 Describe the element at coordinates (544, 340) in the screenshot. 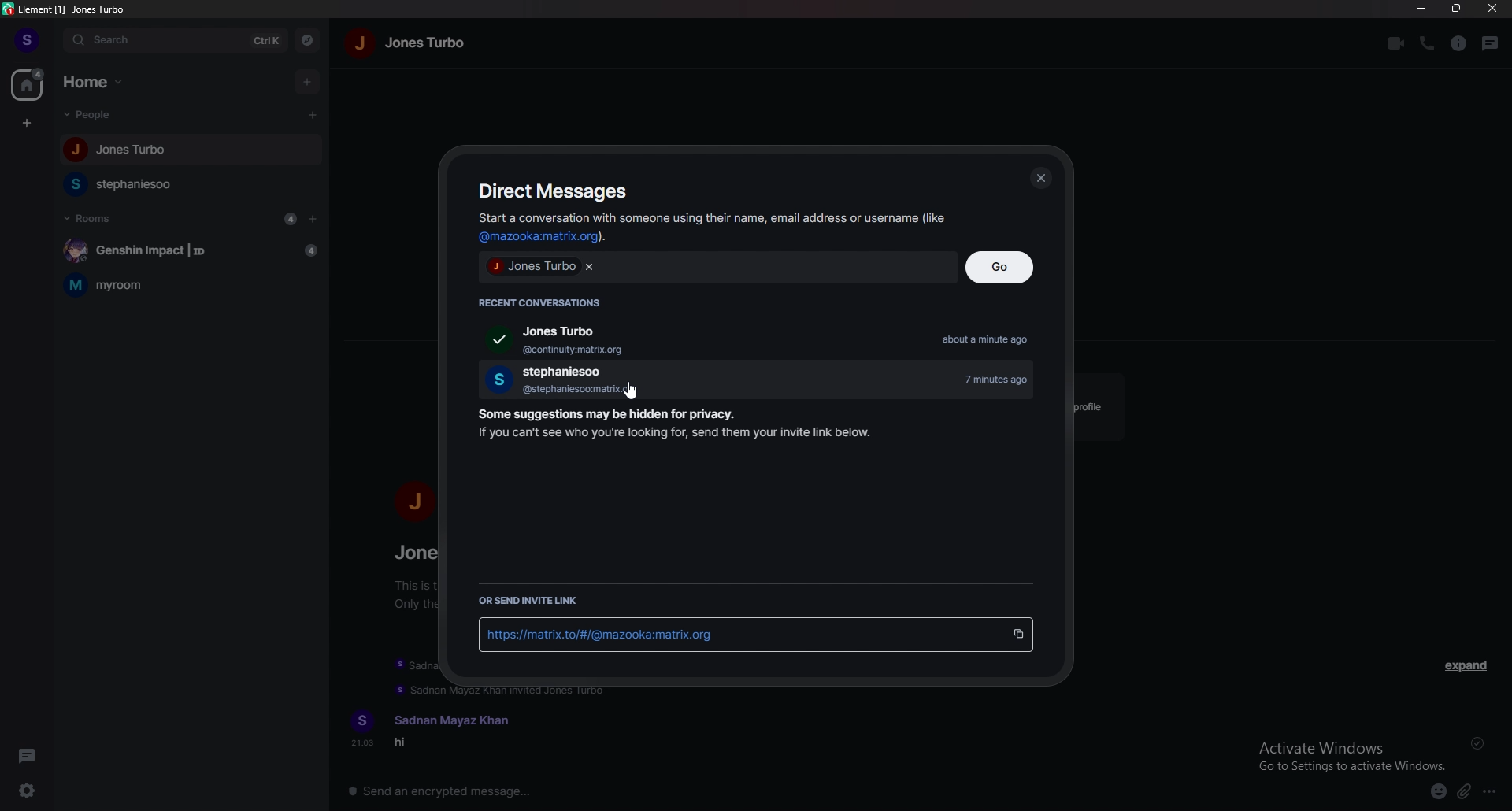

I see `Jones Turbo @continuity:matrix.org` at that location.